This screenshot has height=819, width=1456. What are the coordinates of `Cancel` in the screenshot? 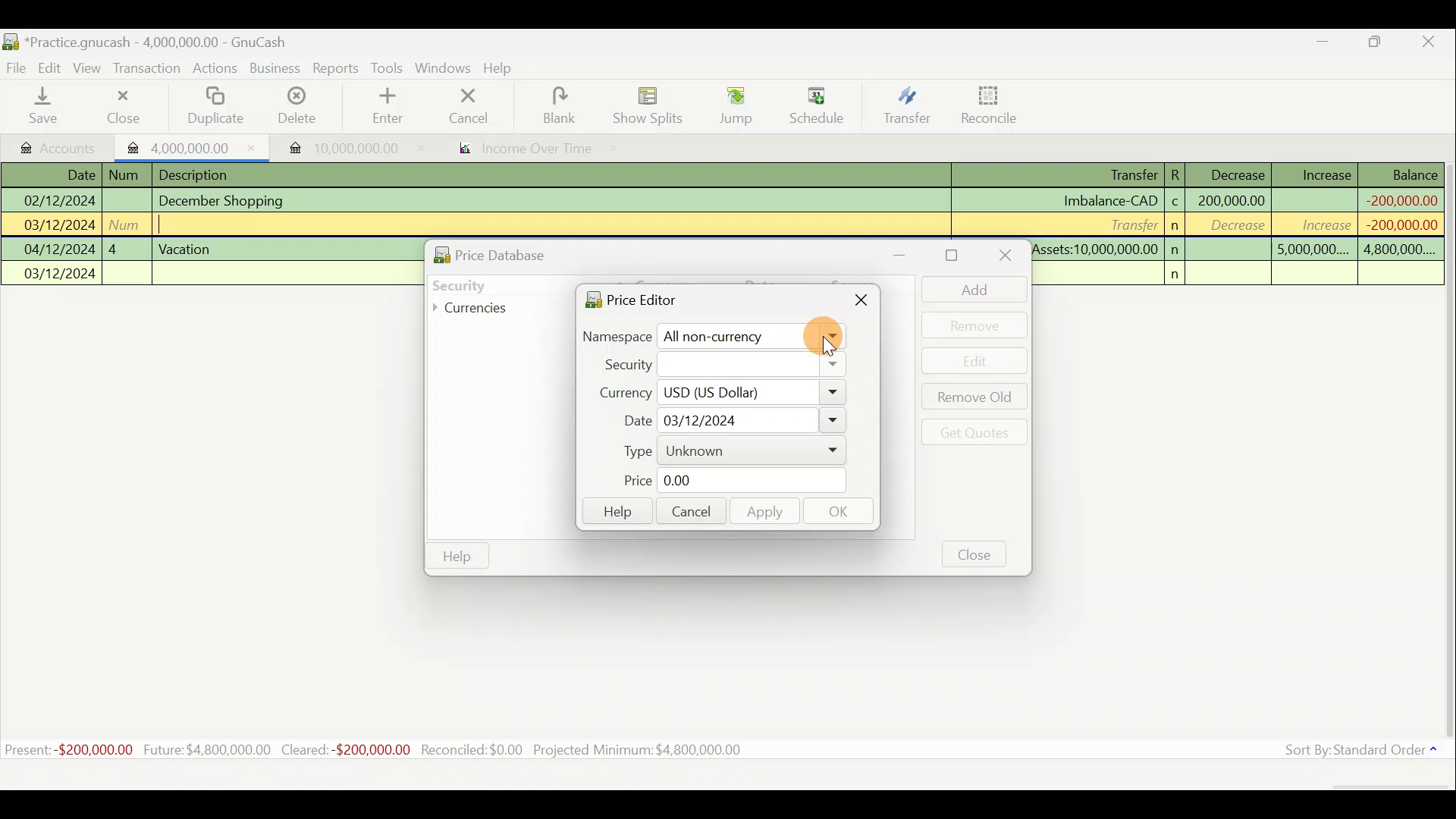 It's located at (689, 510).